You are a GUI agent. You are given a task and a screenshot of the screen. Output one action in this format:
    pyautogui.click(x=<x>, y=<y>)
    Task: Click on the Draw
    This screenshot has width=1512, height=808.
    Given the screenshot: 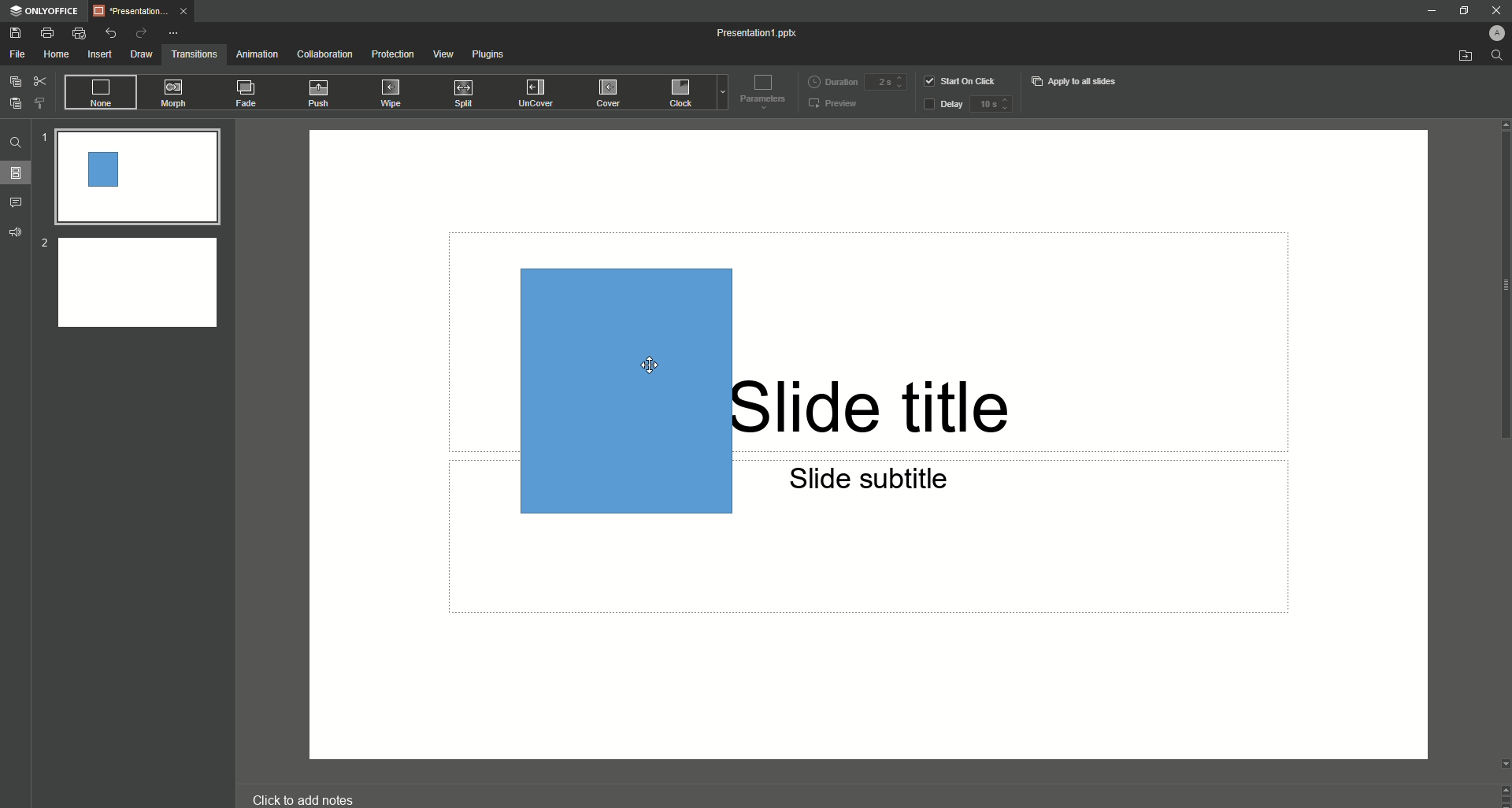 What is the action you would take?
    pyautogui.click(x=140, y=54)
    